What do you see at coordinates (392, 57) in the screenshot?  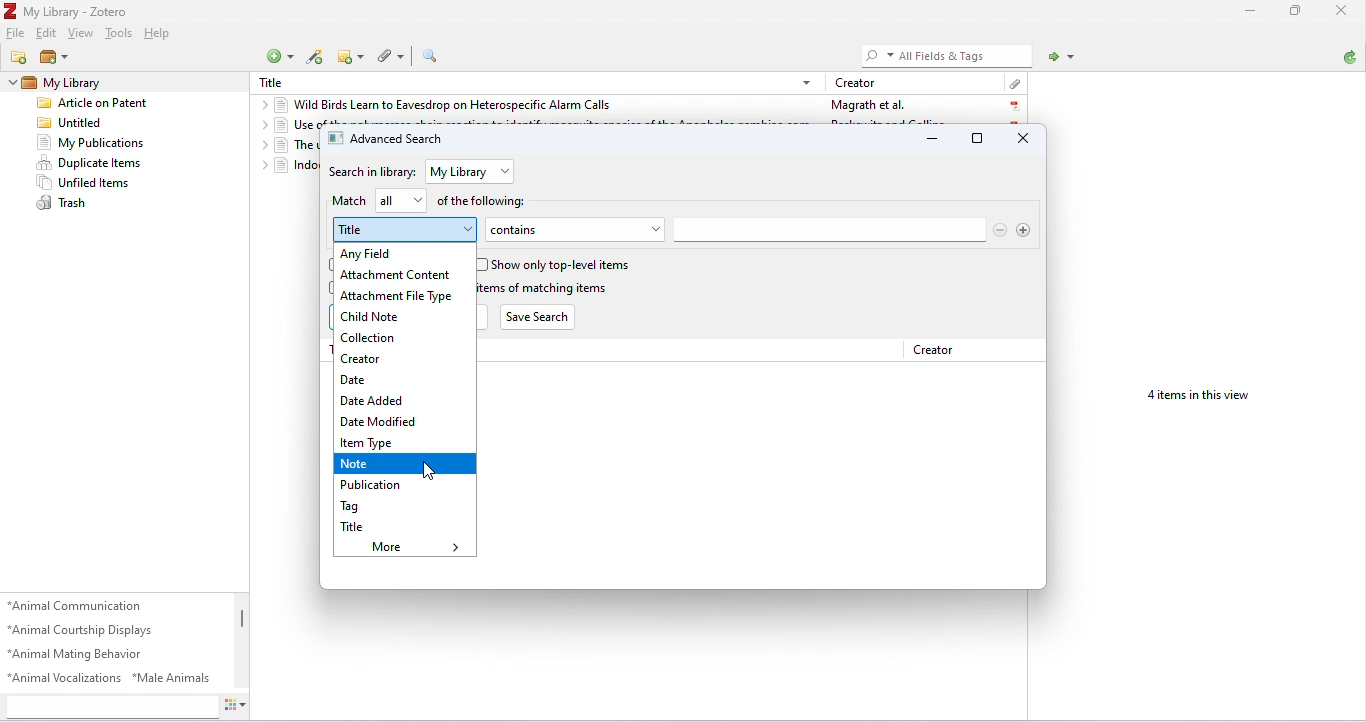 I see `add attachment` at bounding box center [392, 57].